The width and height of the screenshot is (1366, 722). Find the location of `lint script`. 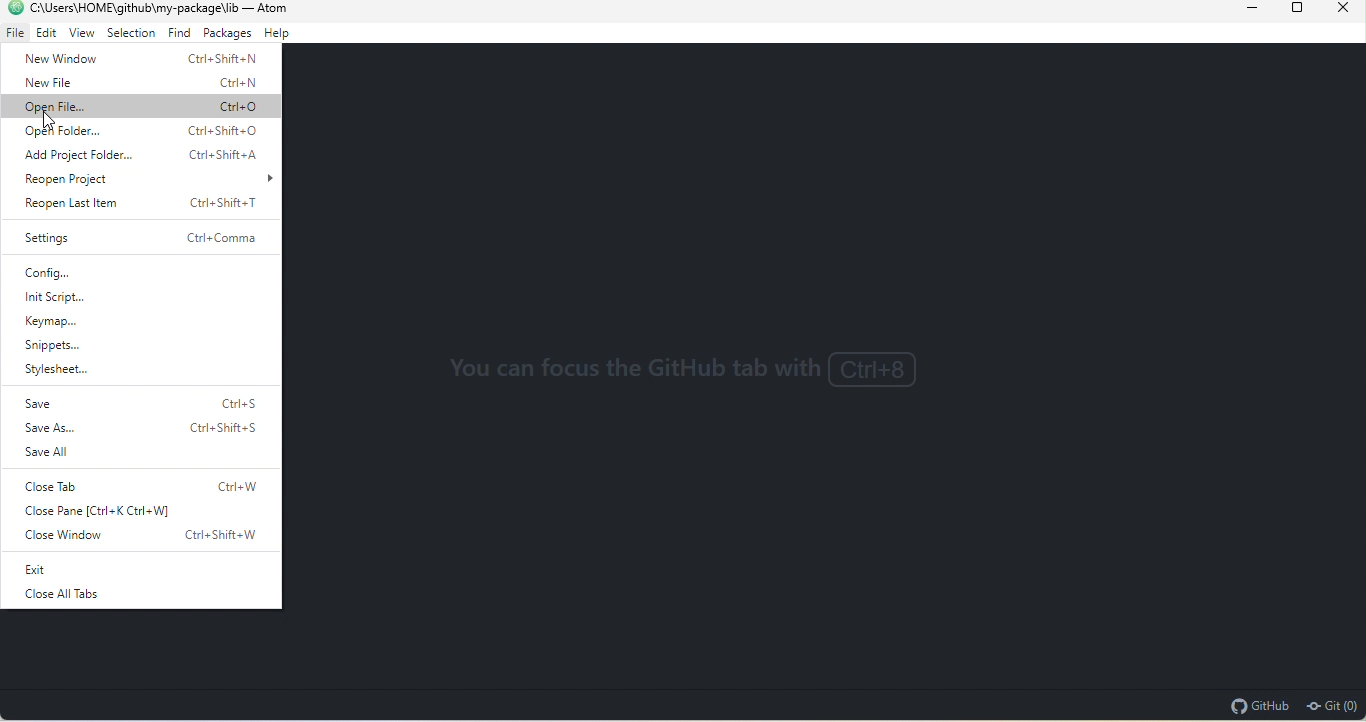

lint script is located at coordinates (63, 298).